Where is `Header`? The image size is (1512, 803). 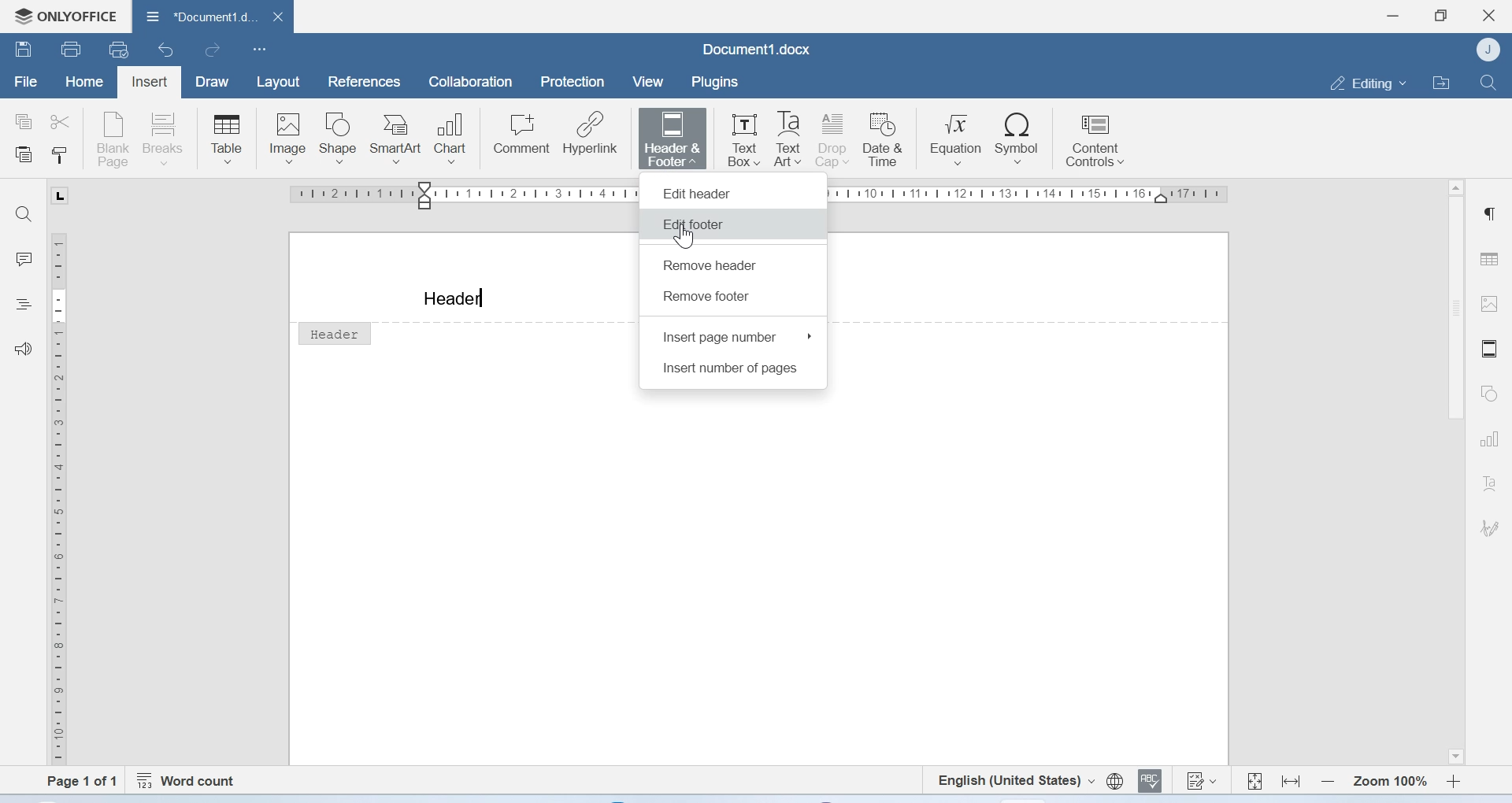 Header is located at coordinates (454, 299).